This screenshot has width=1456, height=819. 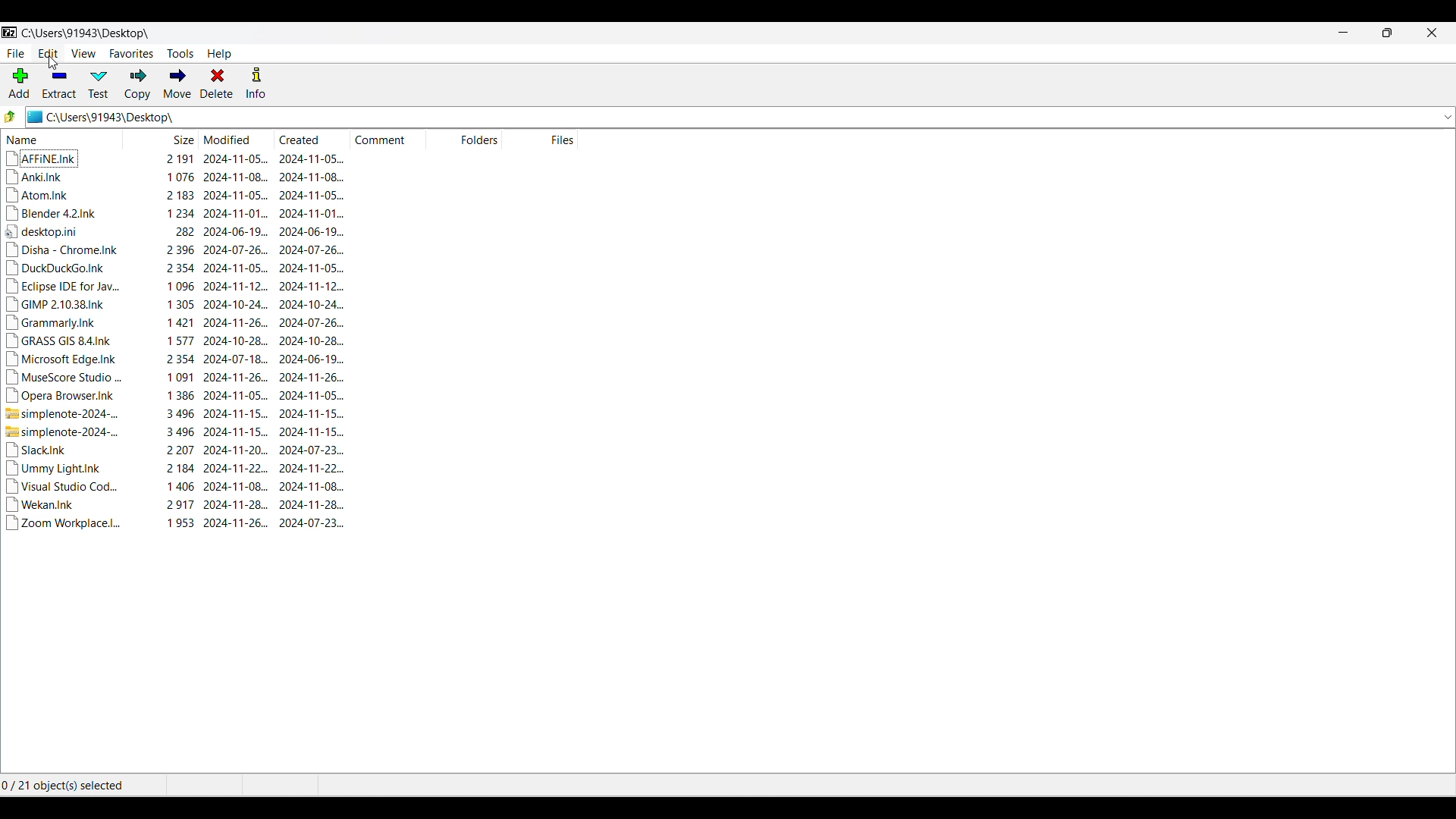 What do you see at coordinates (58, 140) in the screenshot?
I see `Name column` at bounding box center [58, 140].